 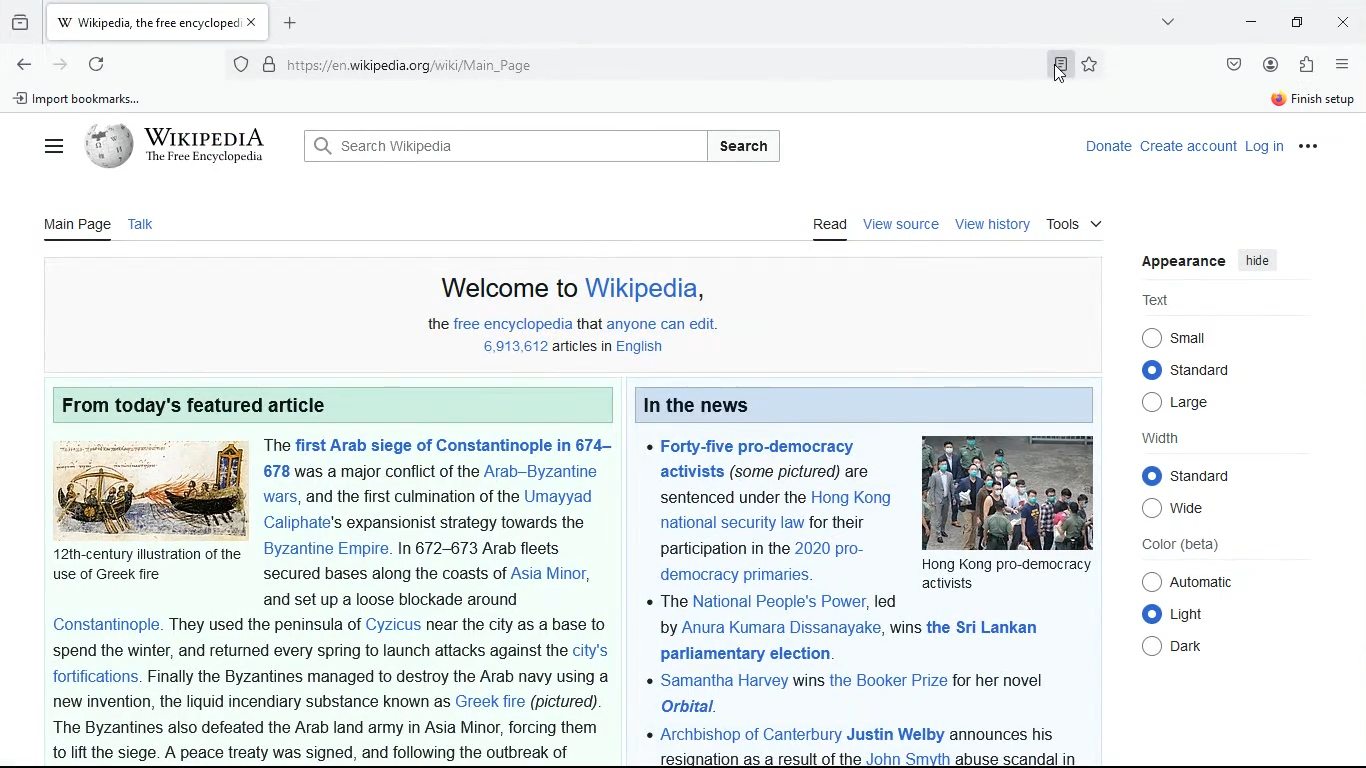 I want to click on view, so click(x=1169, y=25).